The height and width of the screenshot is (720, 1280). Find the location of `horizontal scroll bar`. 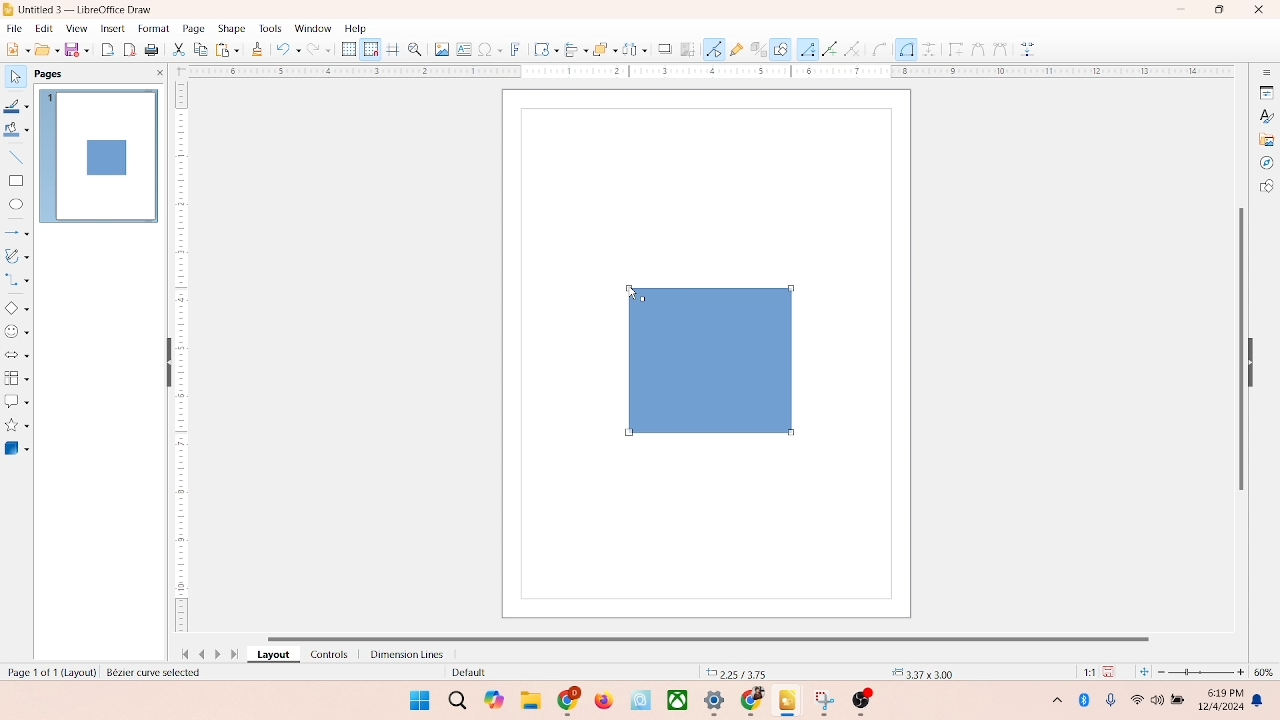

horizontal scroll bar is located at coordinates (724, 636).